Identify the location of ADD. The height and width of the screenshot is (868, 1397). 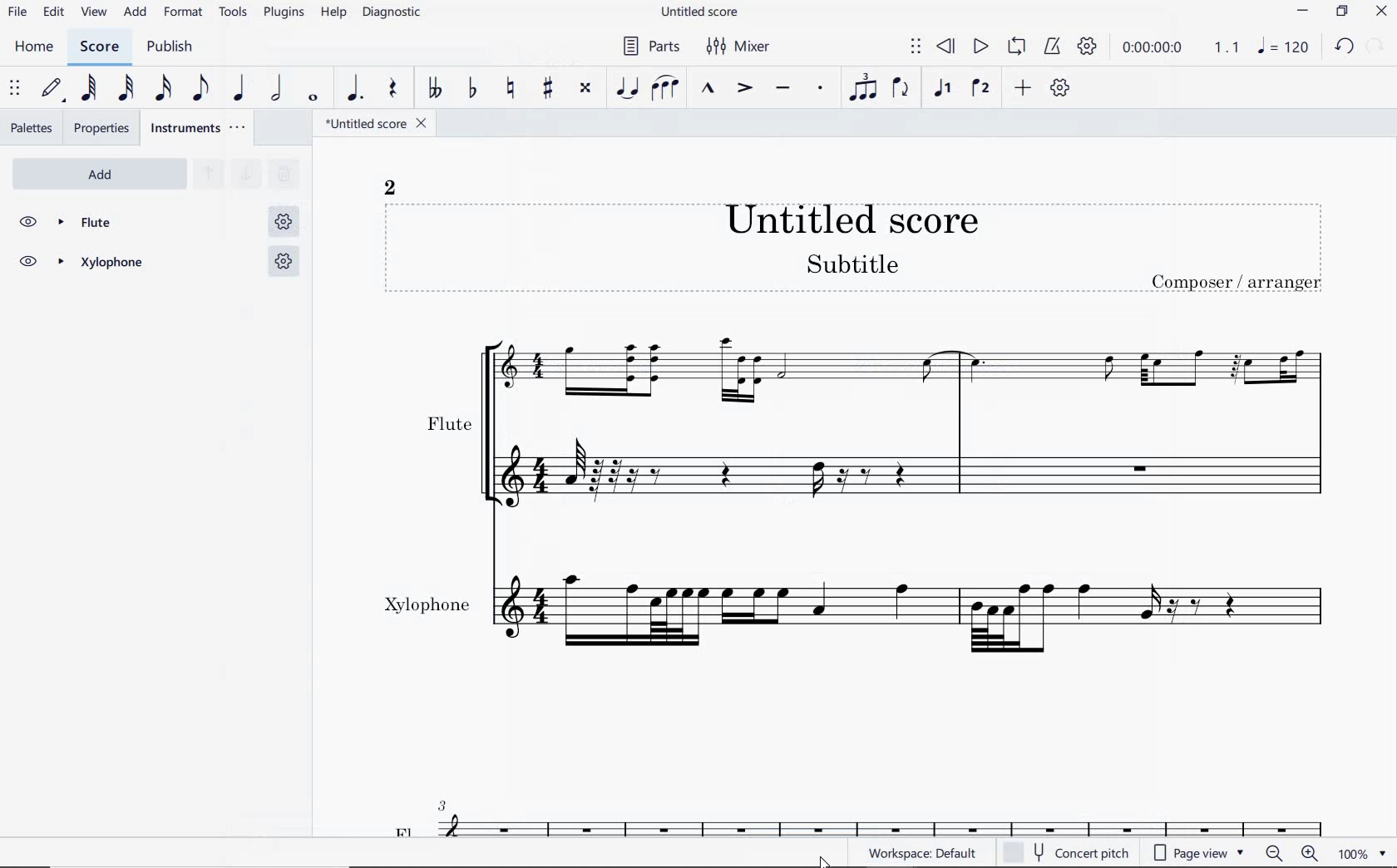
(96, 172).